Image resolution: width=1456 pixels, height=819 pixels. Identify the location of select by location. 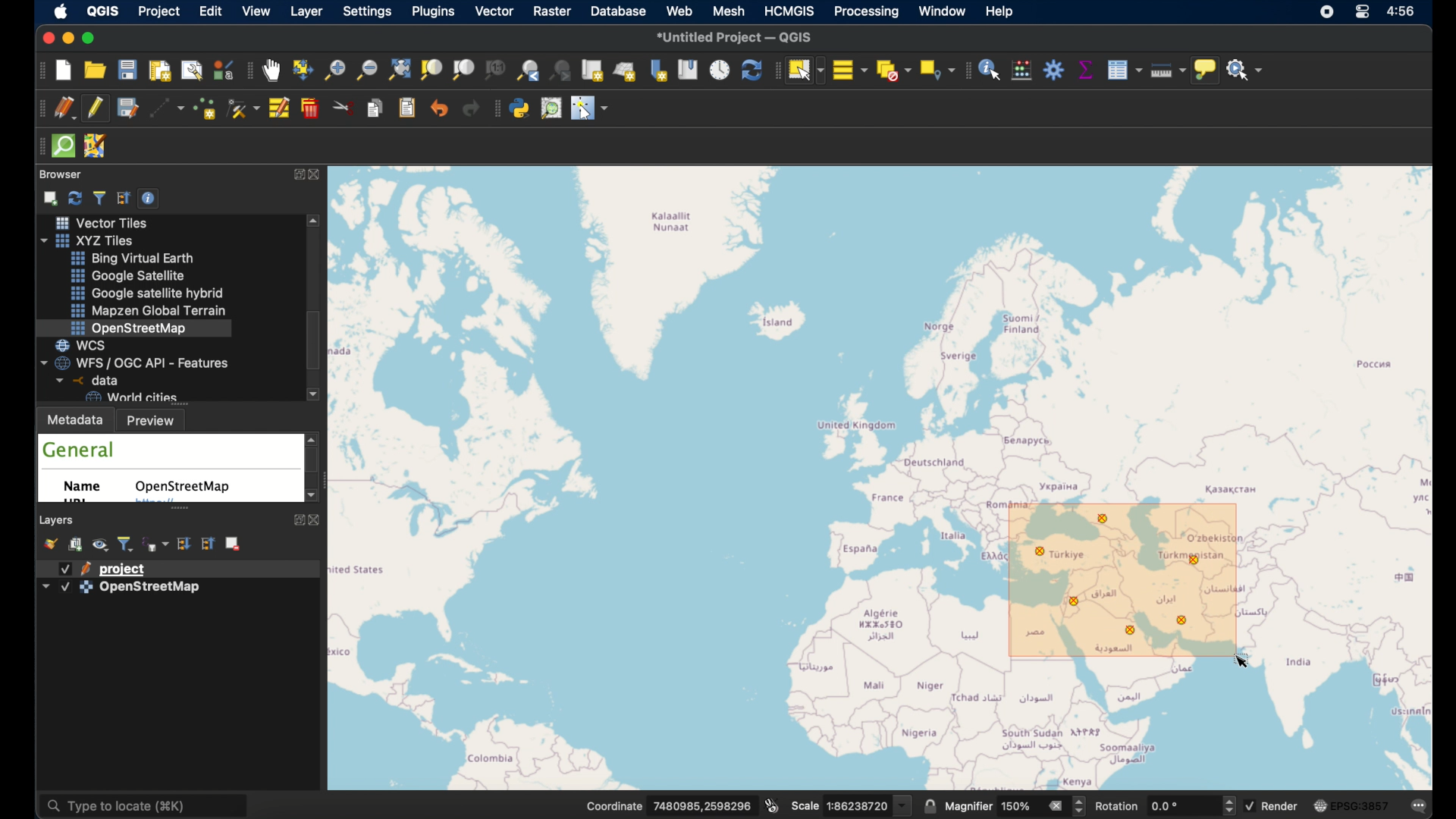
(935, 70).